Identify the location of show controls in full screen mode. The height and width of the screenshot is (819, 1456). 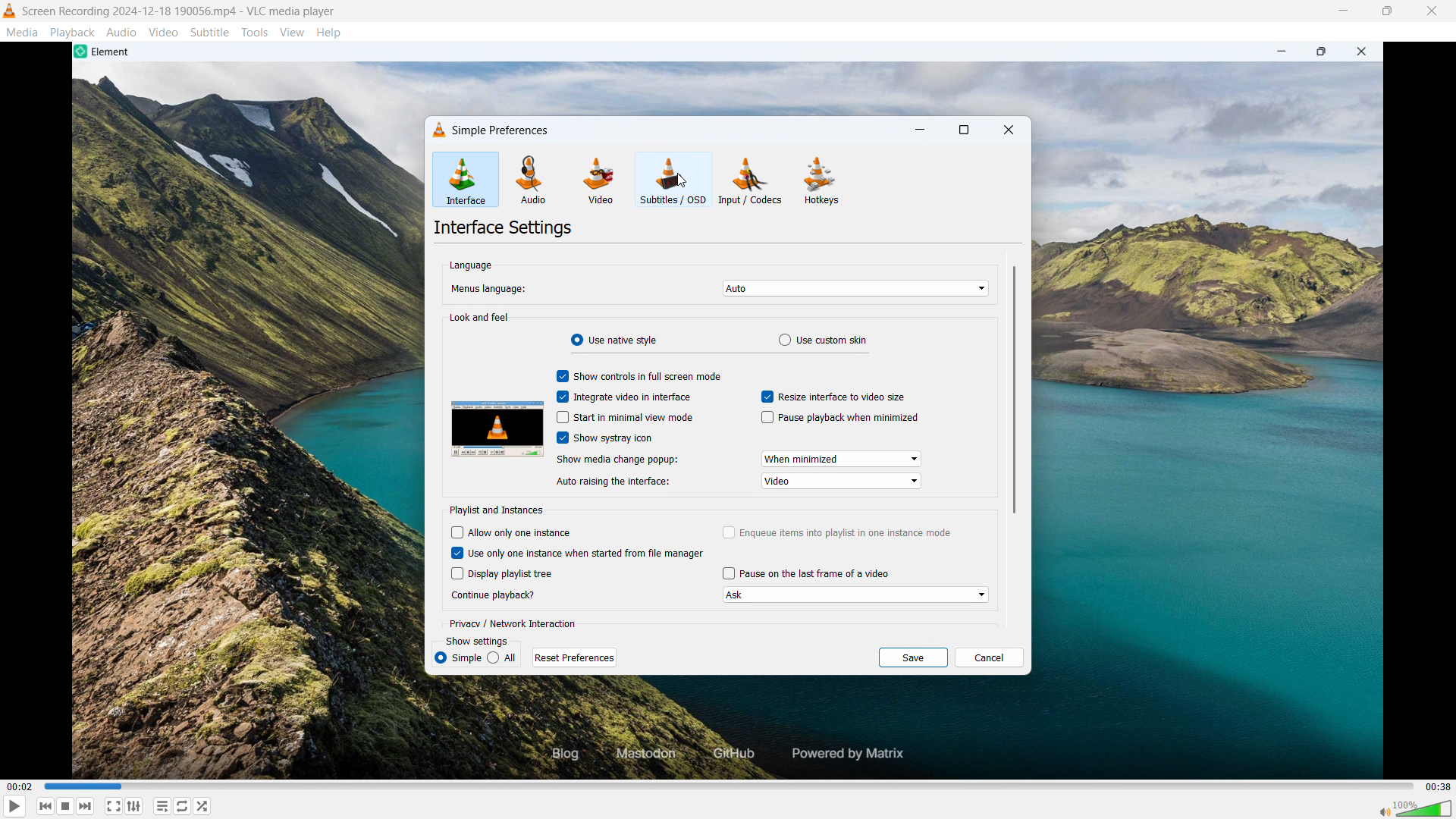
(638, 375).